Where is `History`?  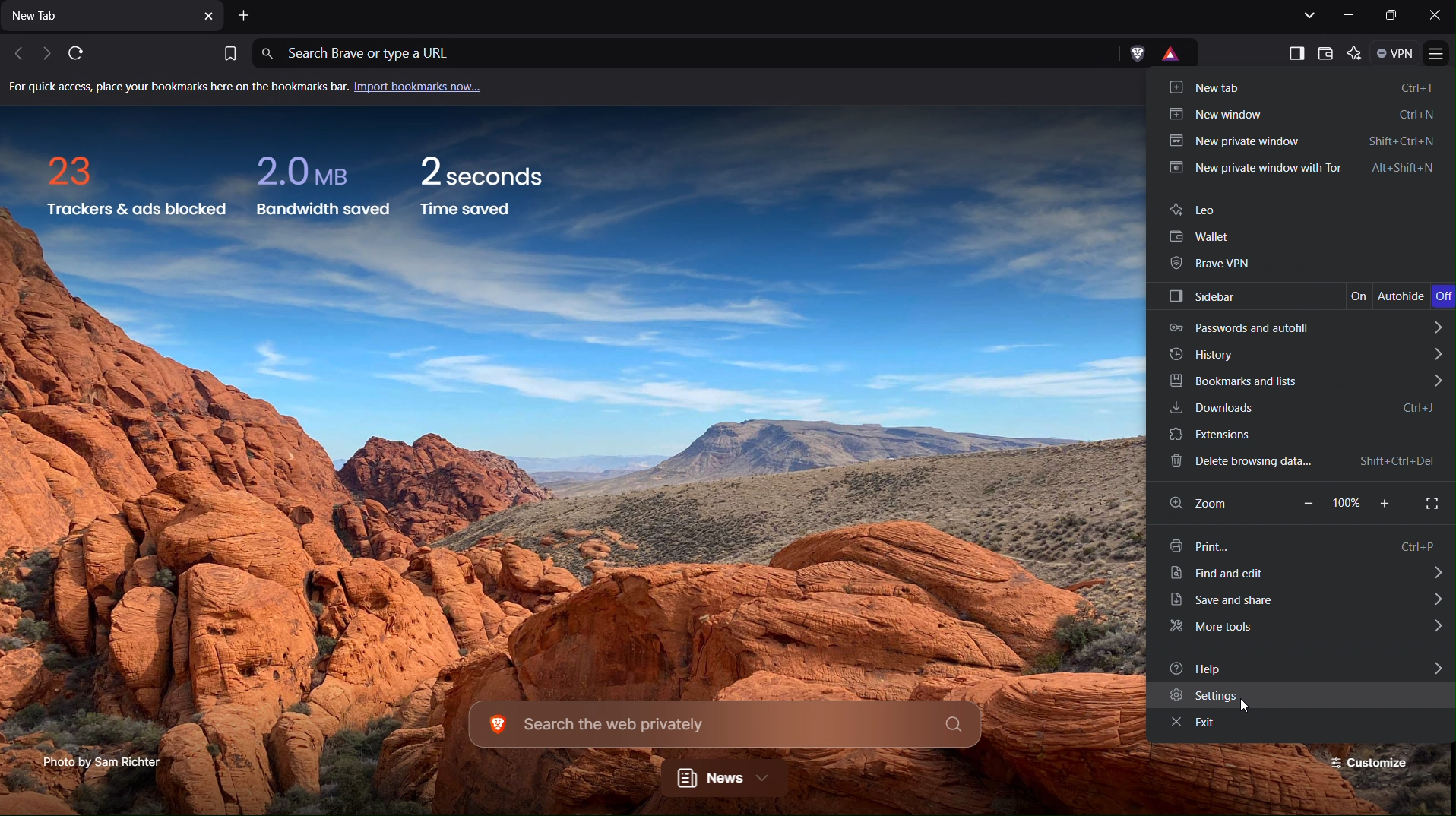
History is located at coordinates (1301, 356).